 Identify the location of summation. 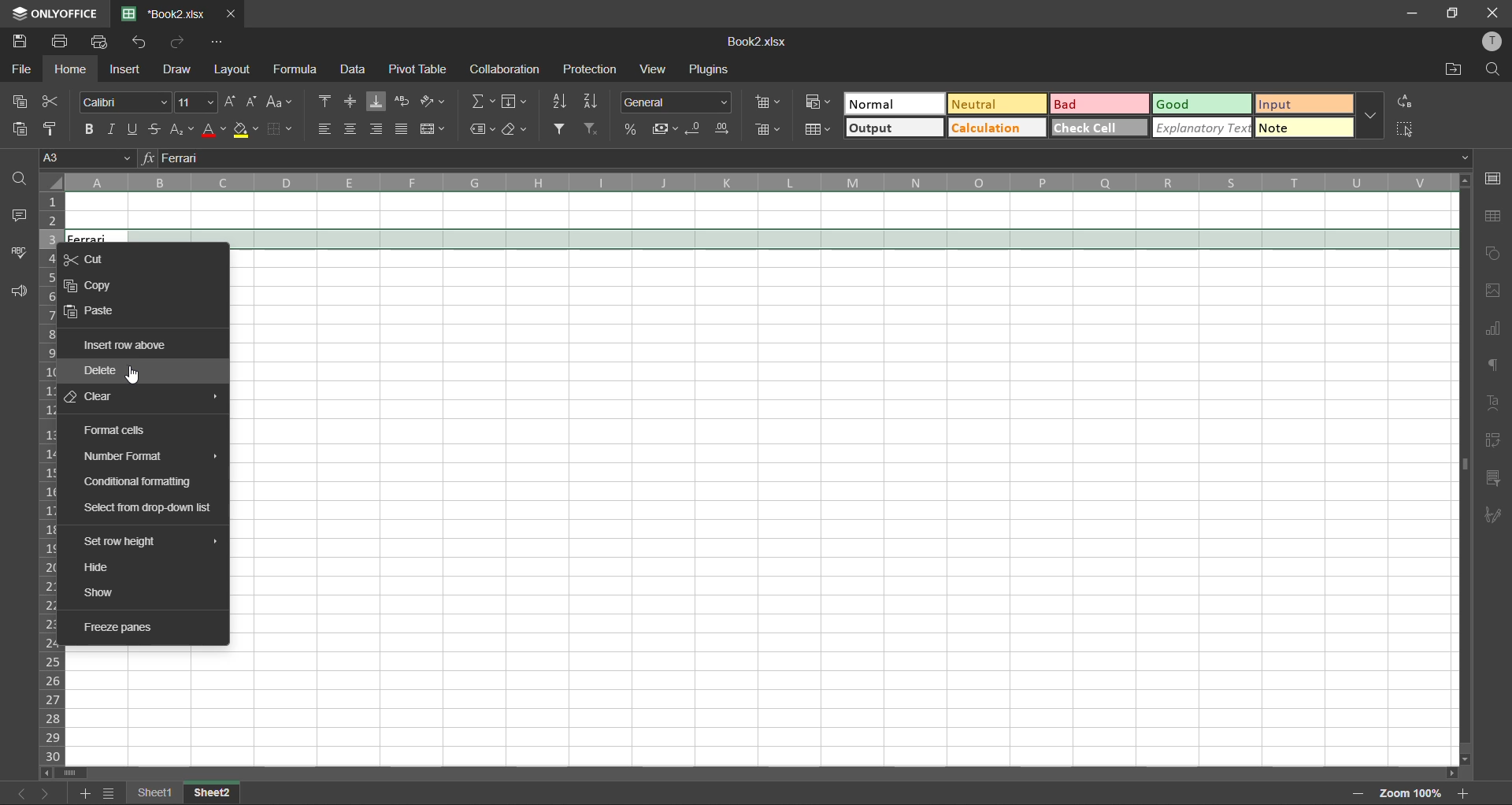
(482, 101).